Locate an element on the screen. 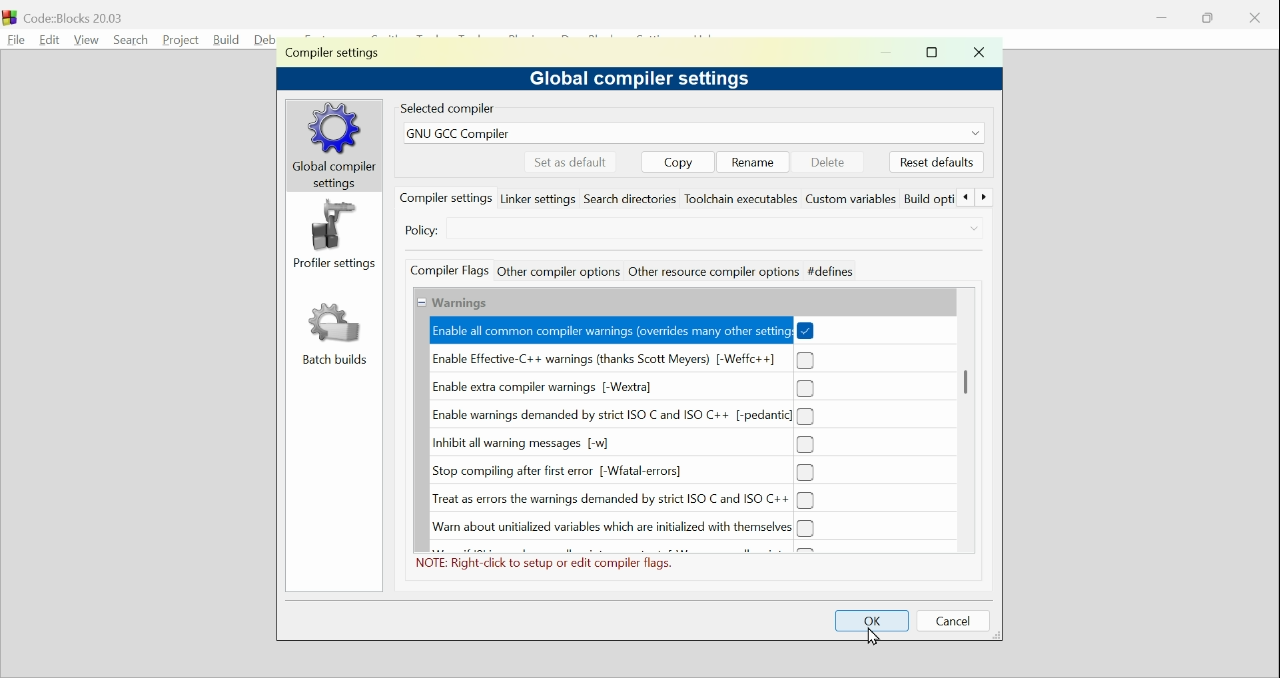  delete is located at coordinates (826, 161).